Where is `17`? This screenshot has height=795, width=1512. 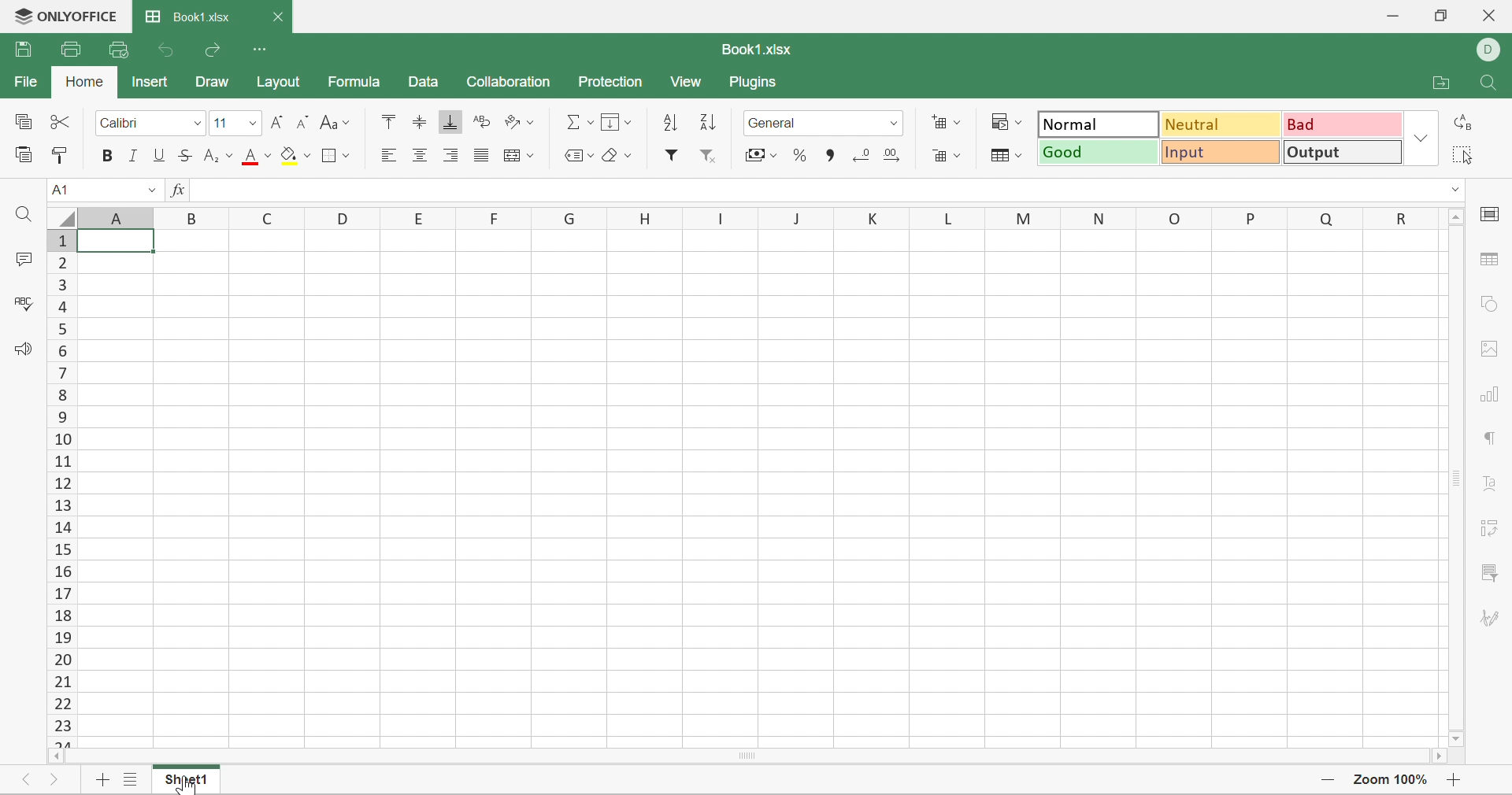 17 is located at coordinates (58, 593).